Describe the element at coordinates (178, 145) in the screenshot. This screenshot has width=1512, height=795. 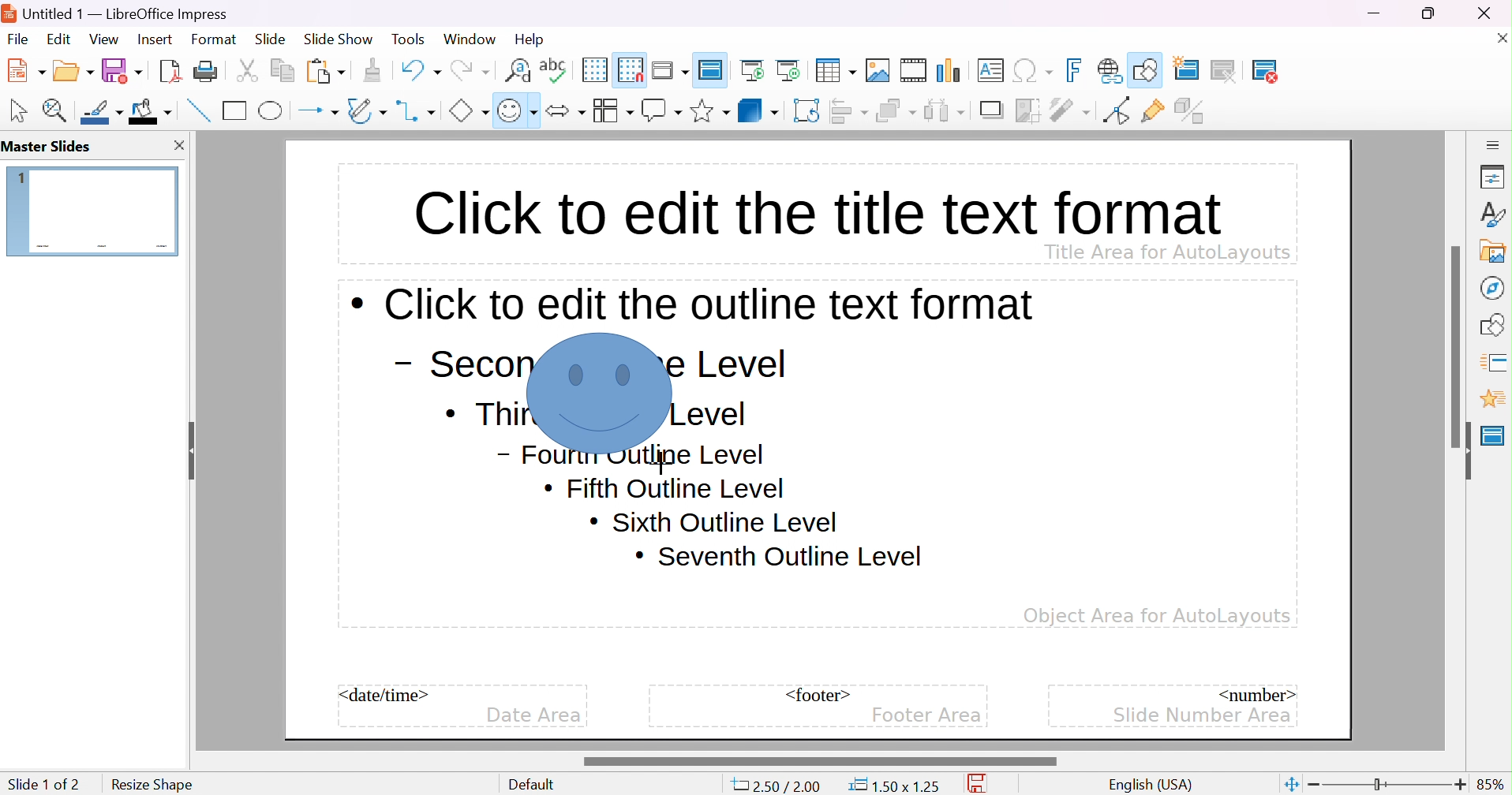
I see `close` at that location.